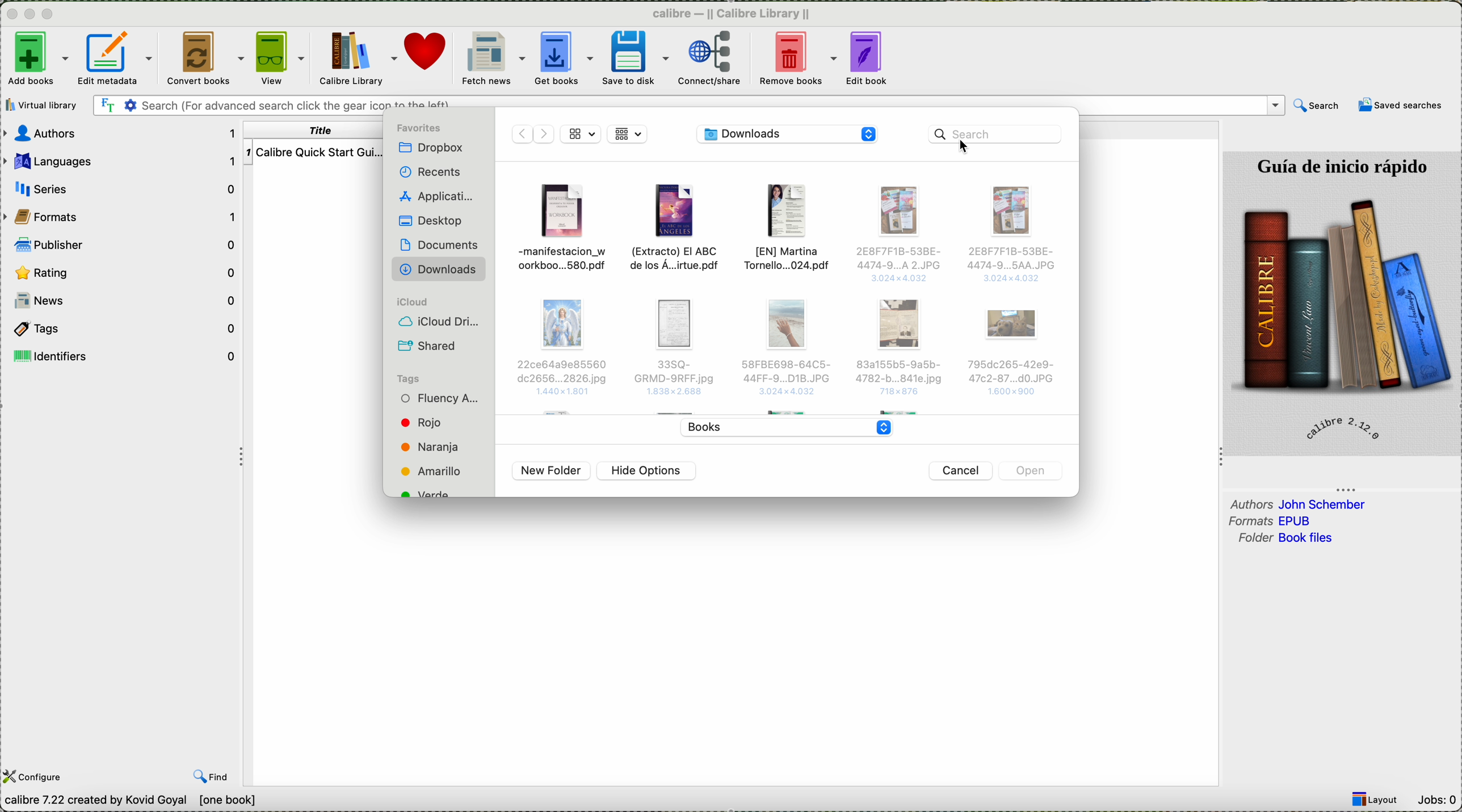 The height and width of the screenshot is (812, 1462). I want to click on authors, so click(1299, 504).